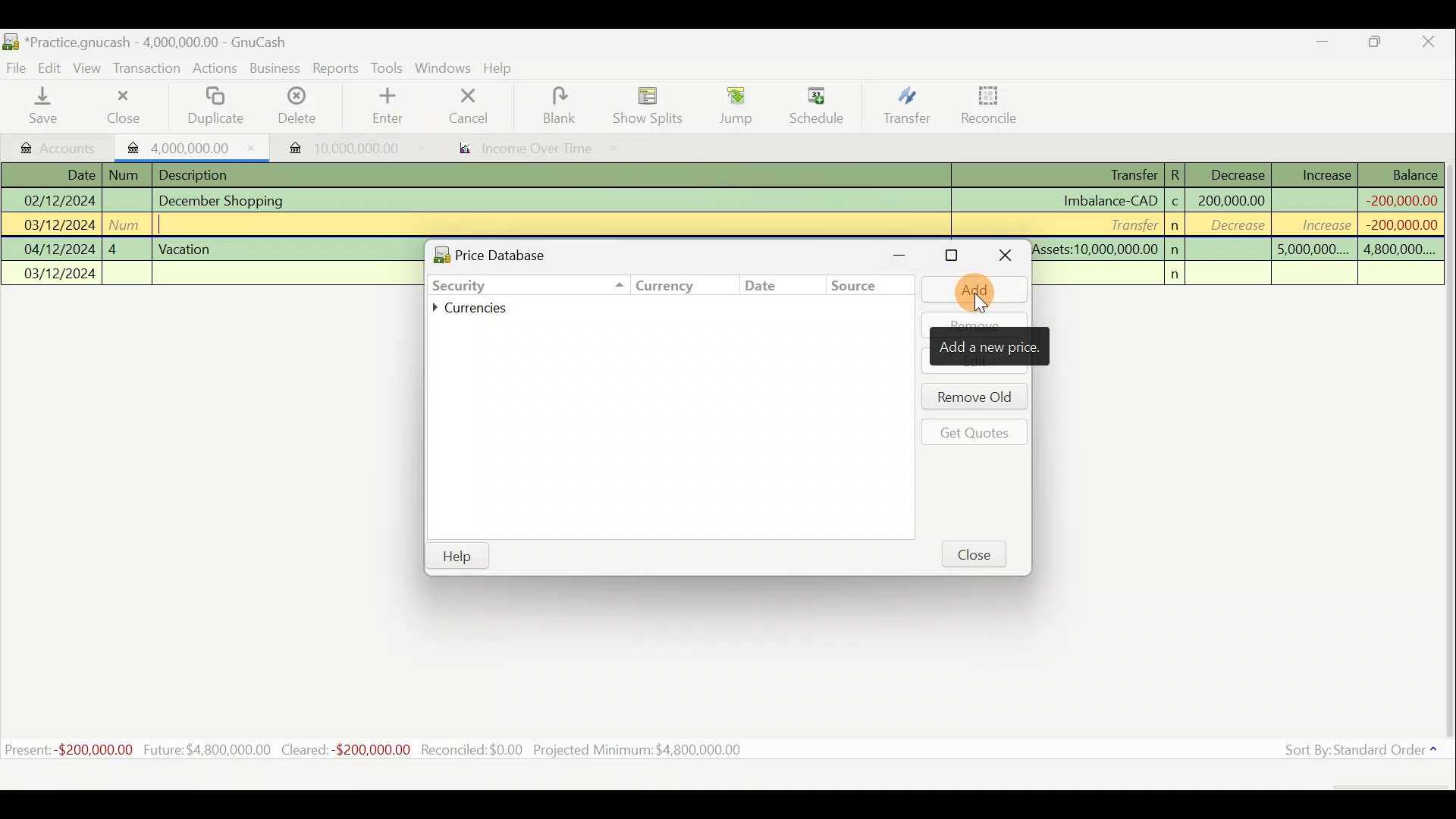 The width and height of the screenshot is (1456, 819). Describe the element at coordinates (1398, 250) in the screenshot. I see `4,800,000` at that location.